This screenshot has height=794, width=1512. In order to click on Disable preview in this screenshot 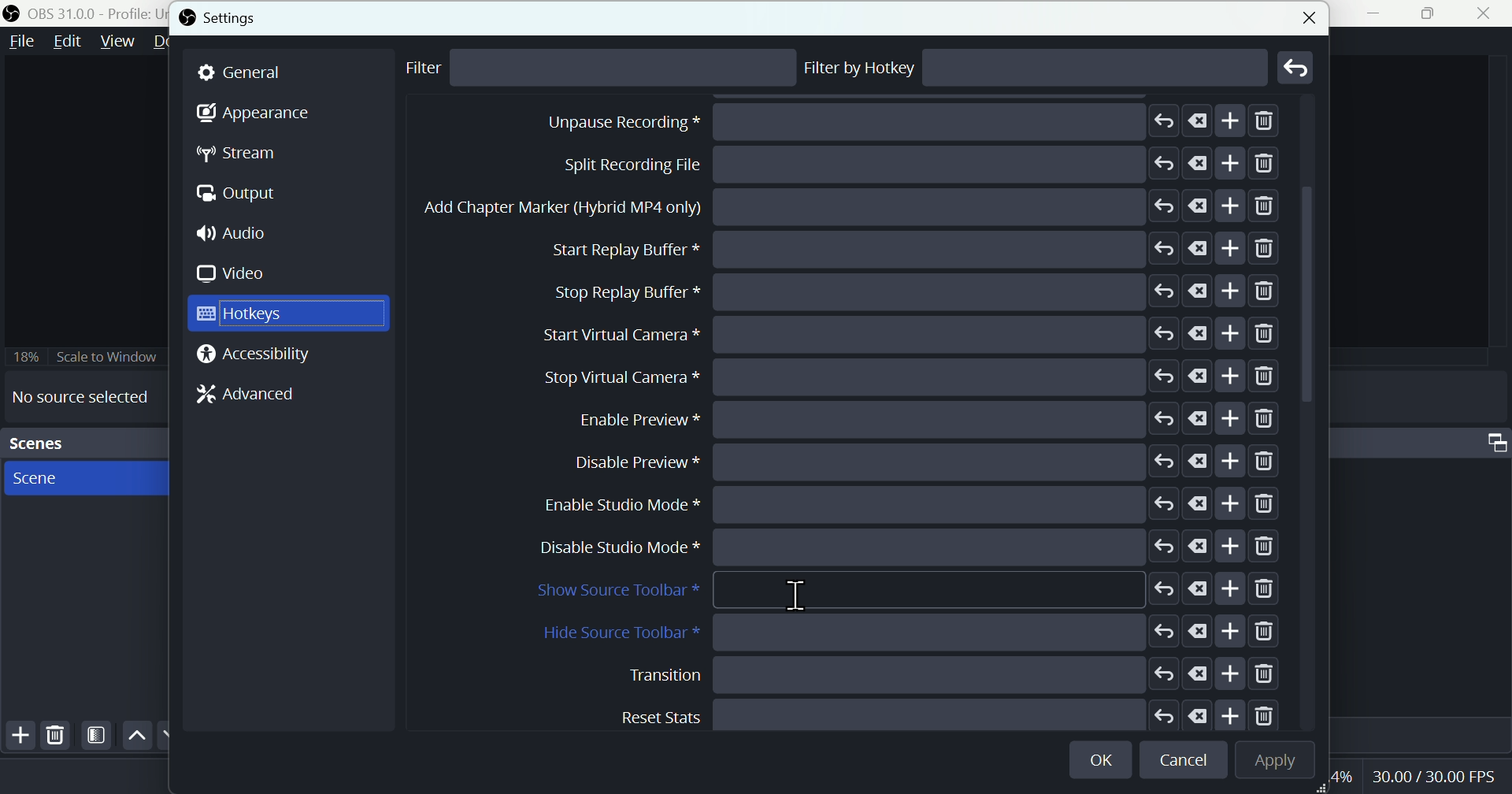, I will do `click(926, 673)`.